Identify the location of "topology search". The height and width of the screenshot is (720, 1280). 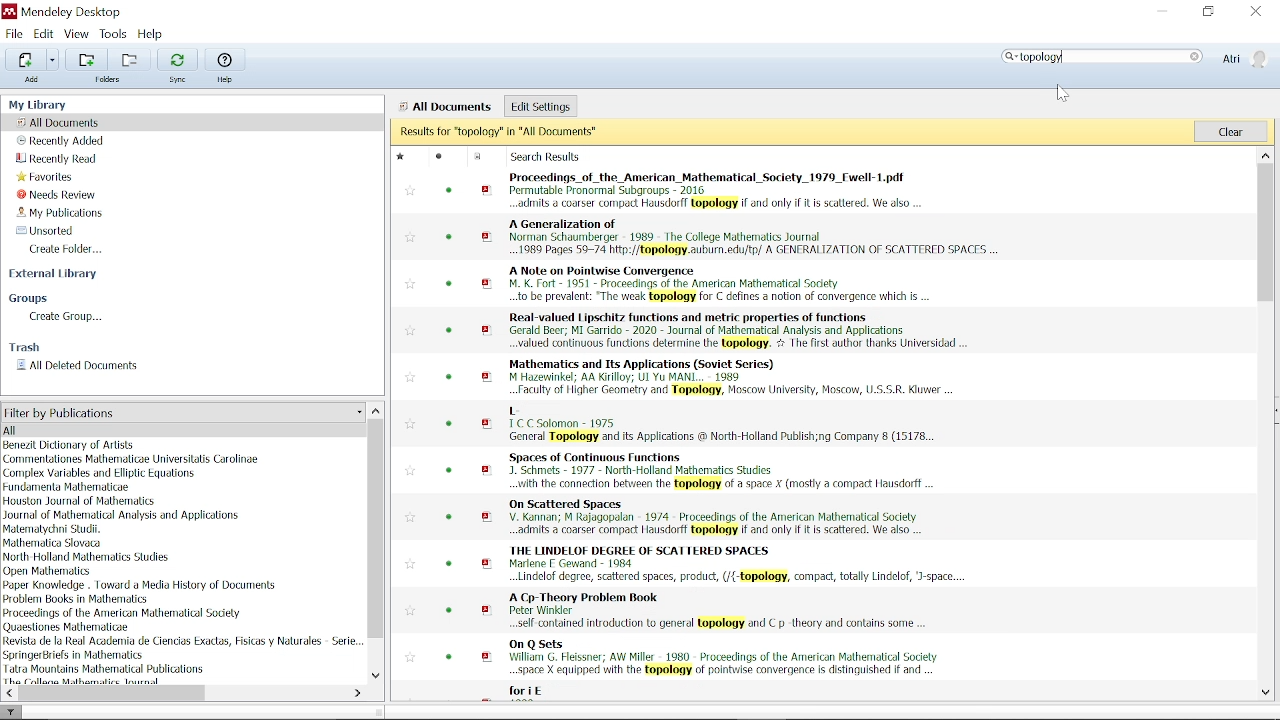
(1106, 57).